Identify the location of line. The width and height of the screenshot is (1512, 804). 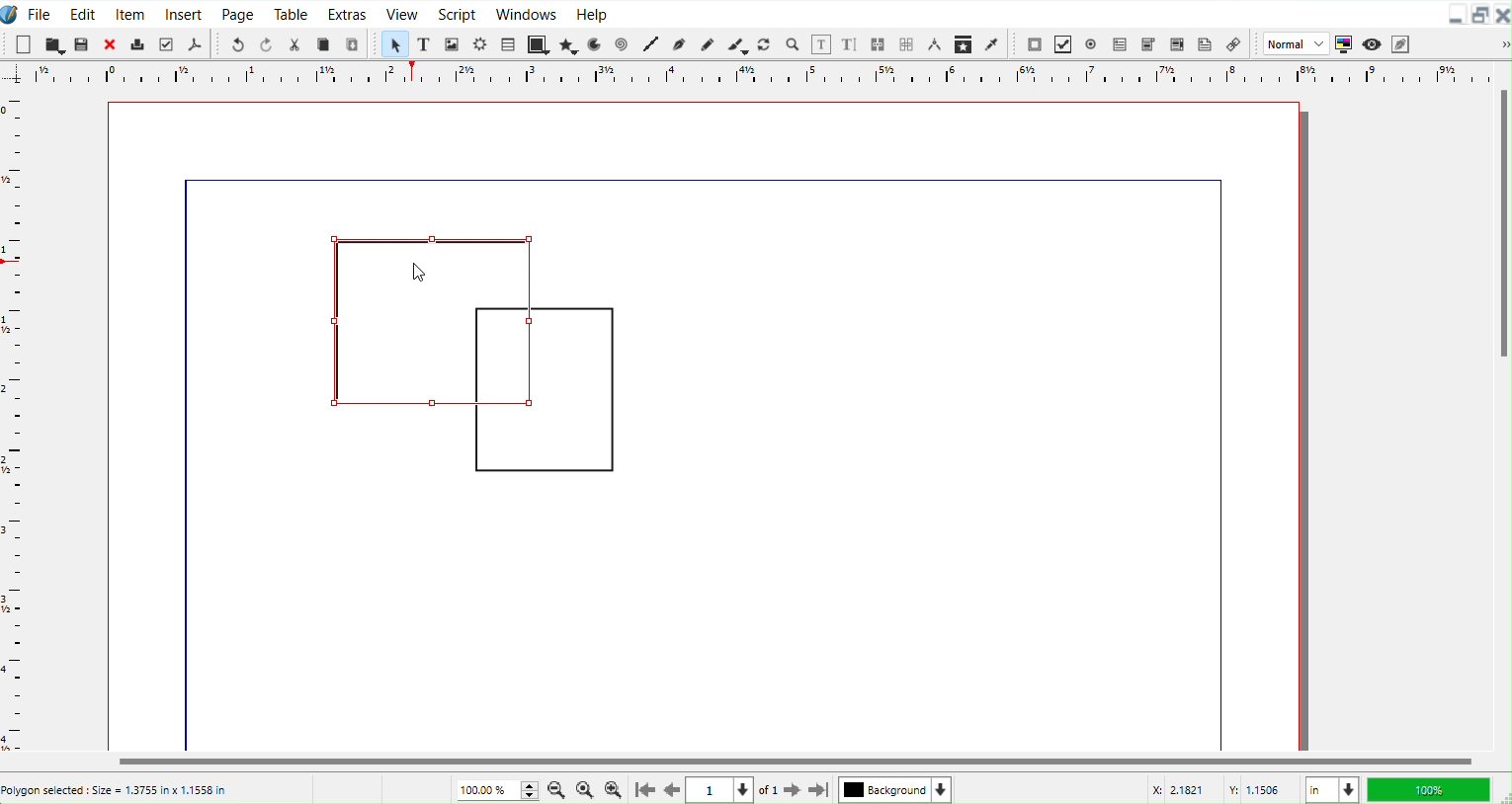
(1220, 471).